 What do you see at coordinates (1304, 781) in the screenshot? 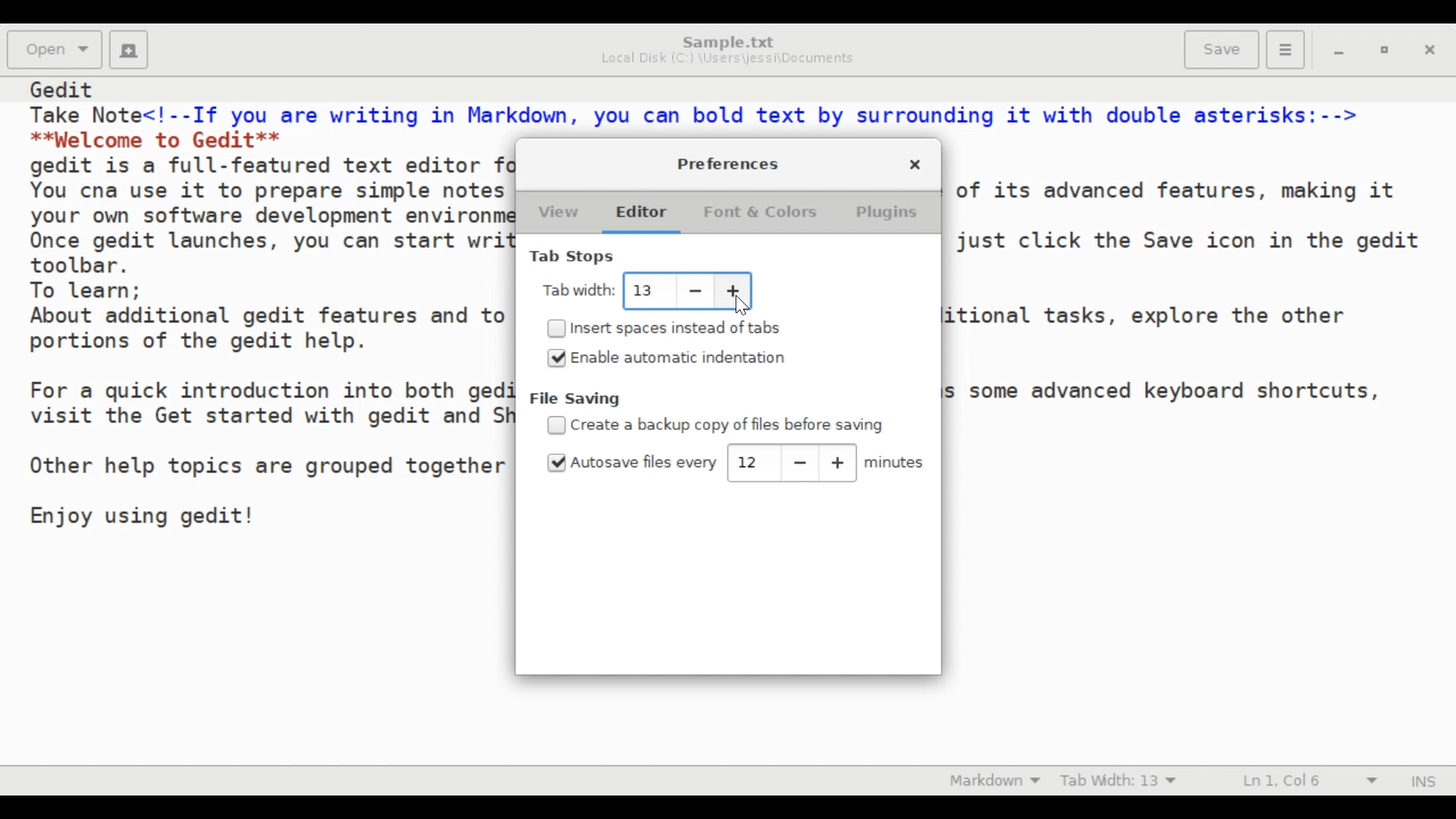
I see `Ln 1,  Col 6` at bounding box center [1304, 781].